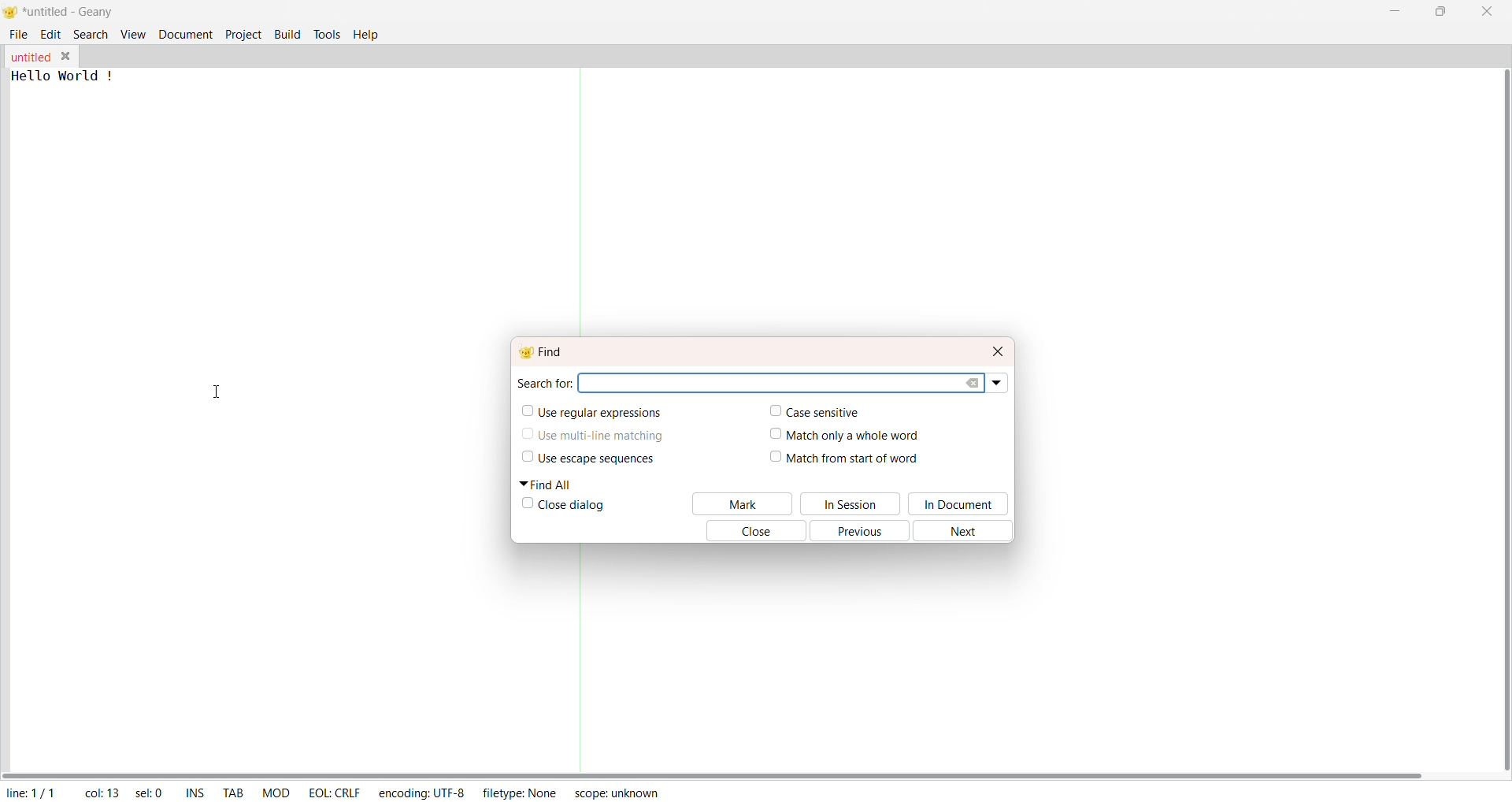 The height and width of the screenshot is (802, 1512). Describe the element at coordinates (335, 791) in the screenshot. I see `EOL: CRLF` at that location.